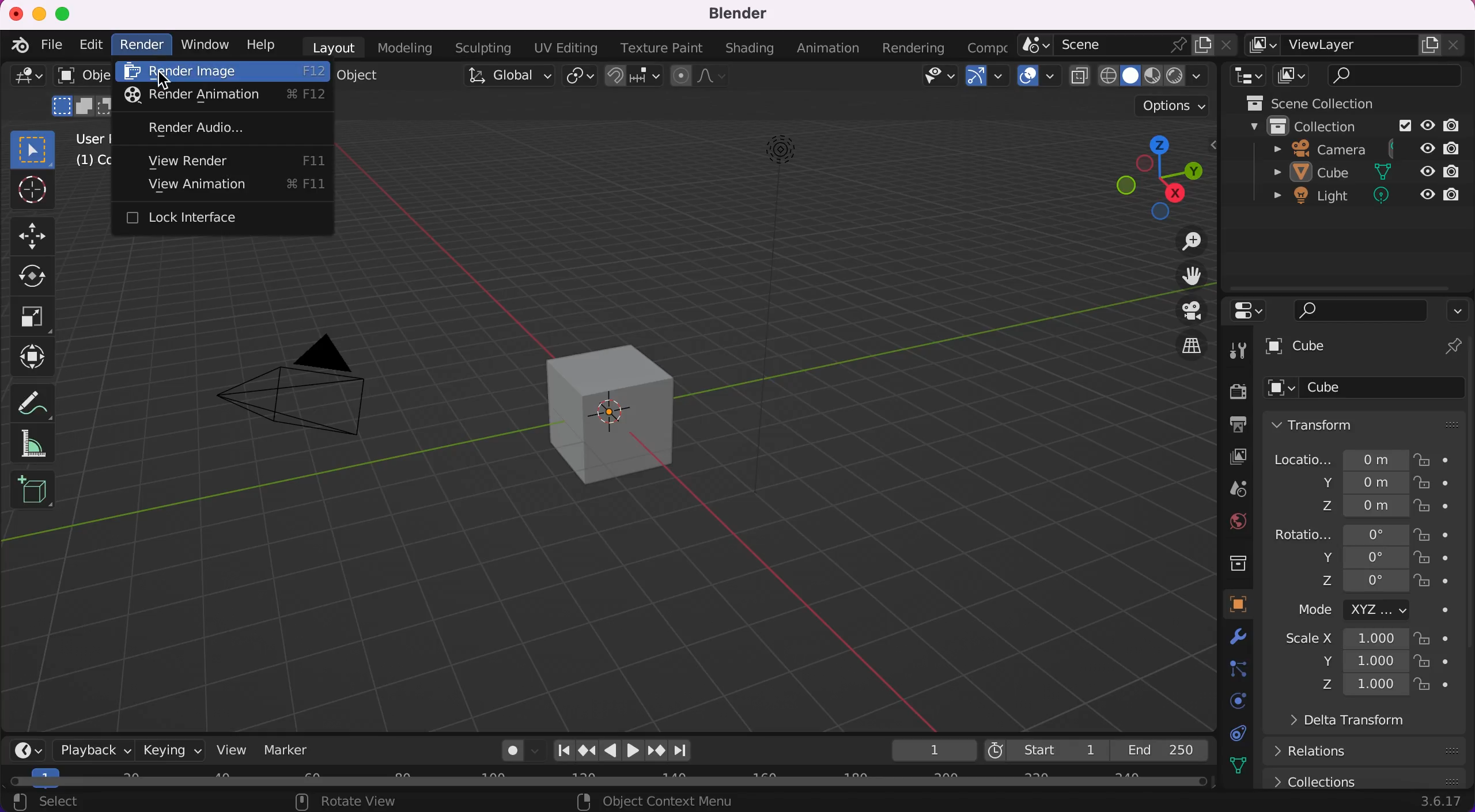  I want to click on hide in viewport, so click(1428, 147).